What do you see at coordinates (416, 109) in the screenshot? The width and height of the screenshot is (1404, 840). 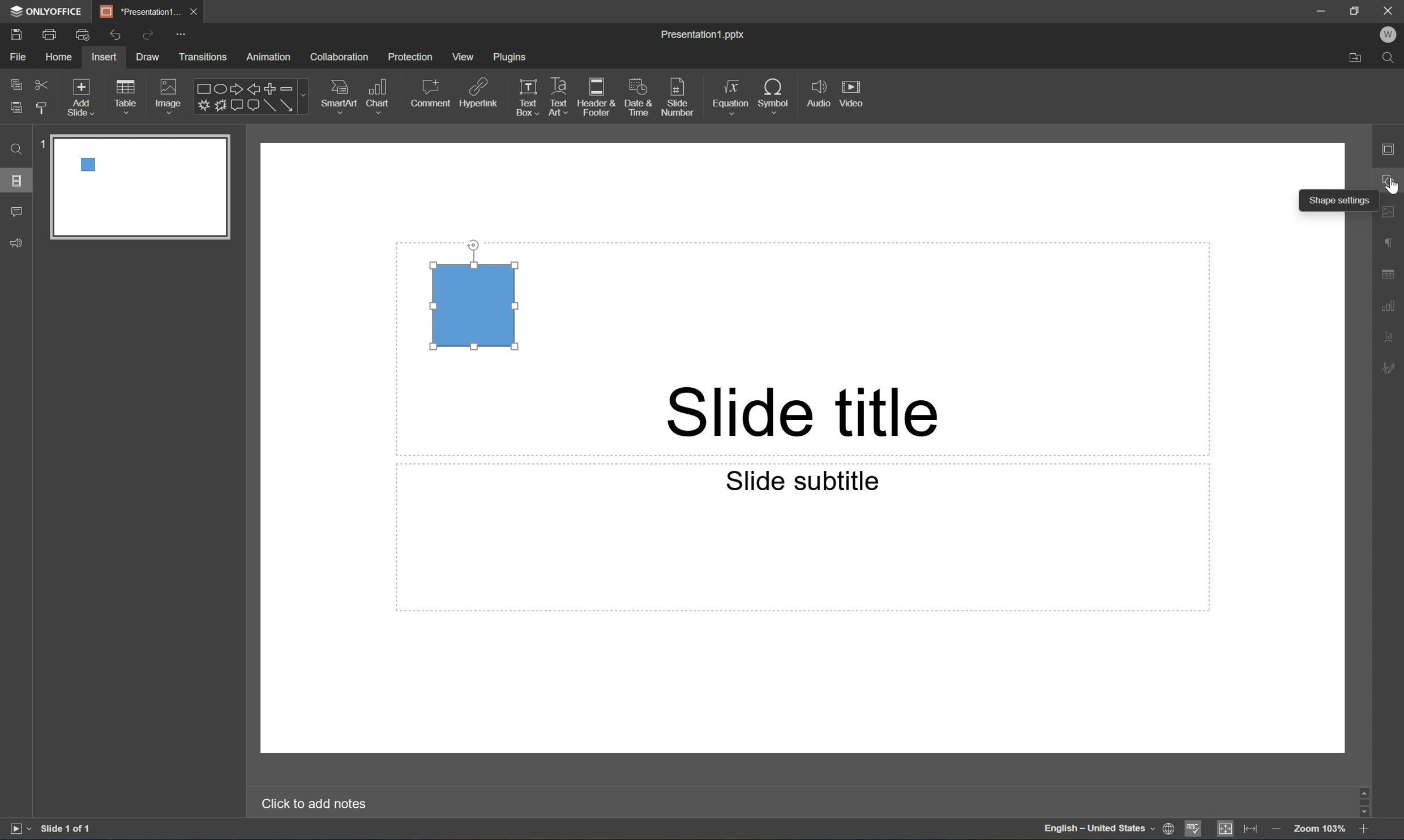 I see `Line spacing` at bounding box center [416, 109].